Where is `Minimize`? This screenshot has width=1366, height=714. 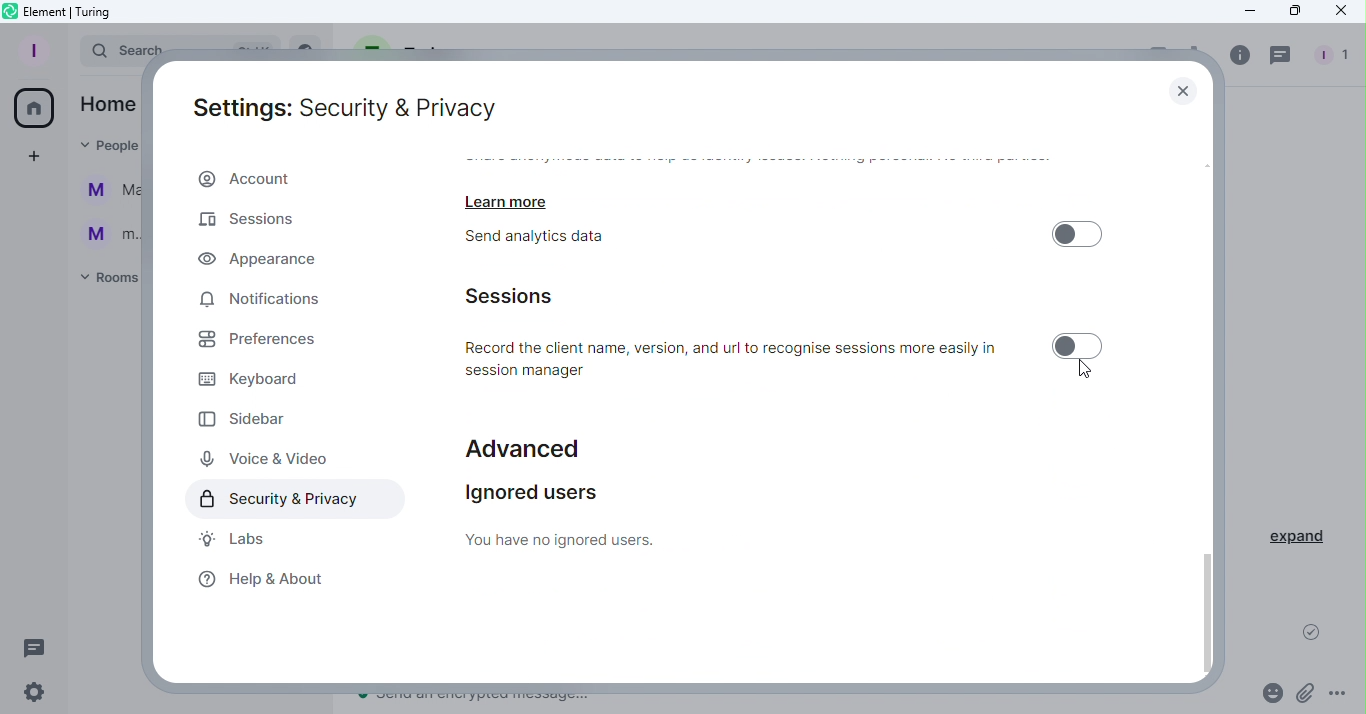
Minimize is located at coordinates (1244, 13).